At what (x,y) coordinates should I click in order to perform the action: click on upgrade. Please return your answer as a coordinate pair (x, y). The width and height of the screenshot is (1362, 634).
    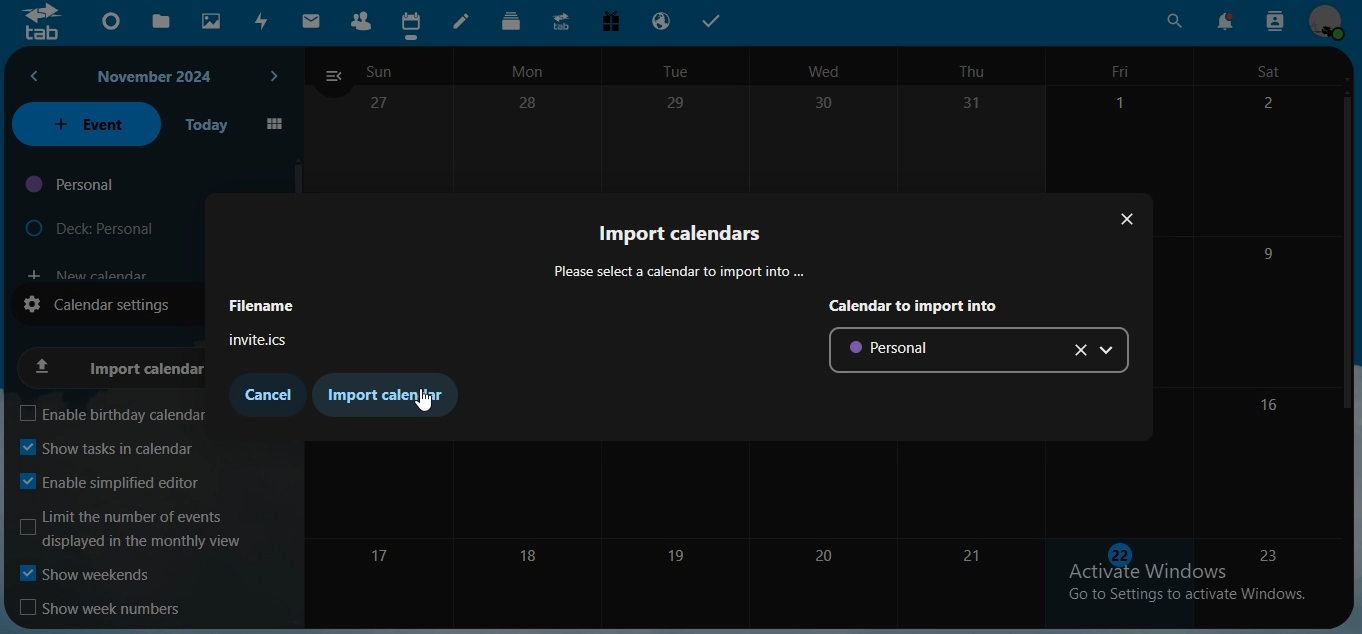
    Looking at the image, I should click on (563, 22).